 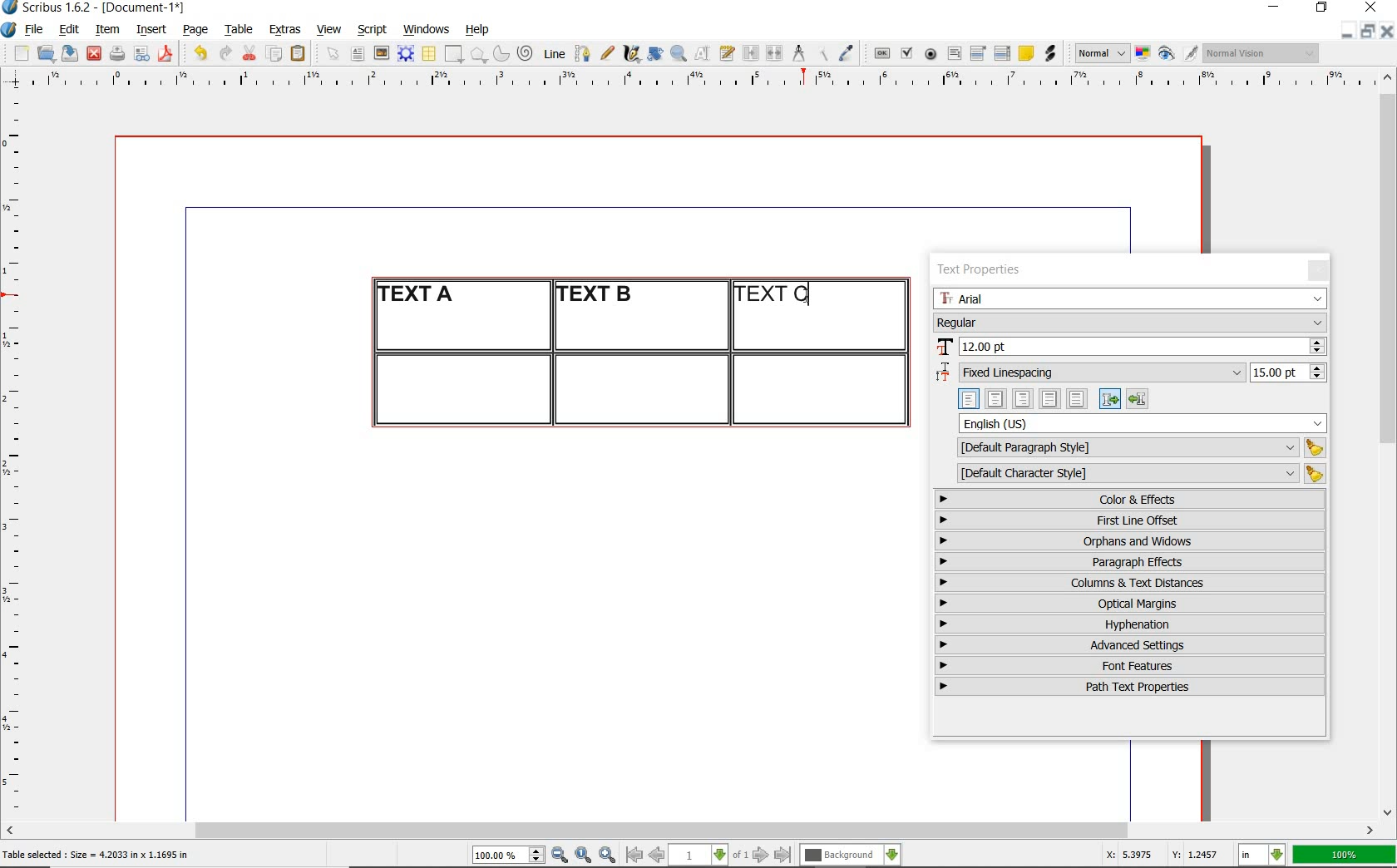 What do you see at coordinates (783, 856) in the screenshot?
I see `go to last page` at bounding box center [783, 856].